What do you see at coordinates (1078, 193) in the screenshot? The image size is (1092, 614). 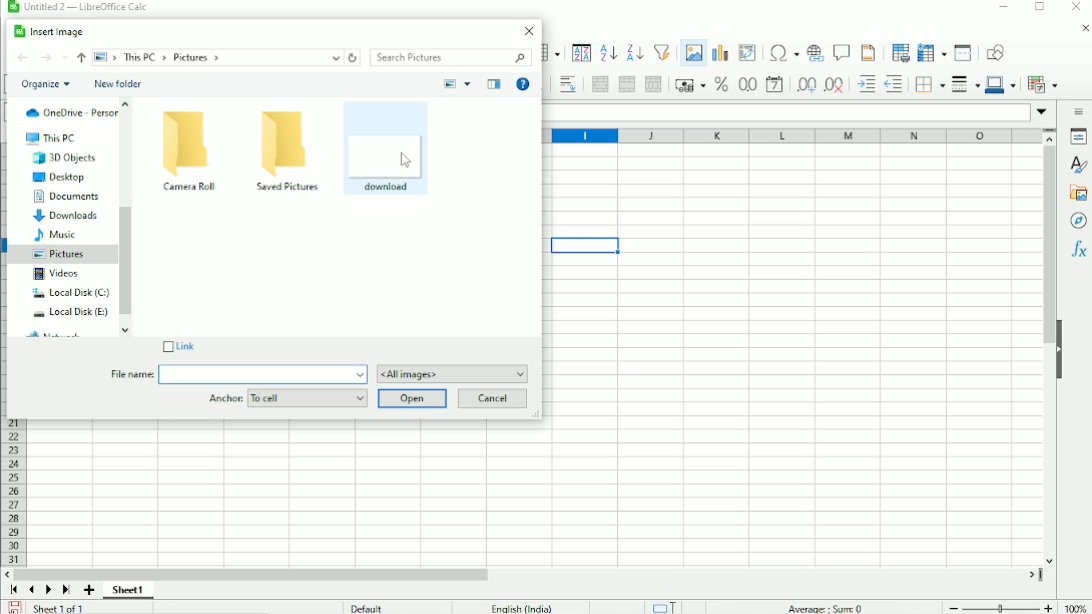 I see `Gallery` at bounding box center [1078, 193].